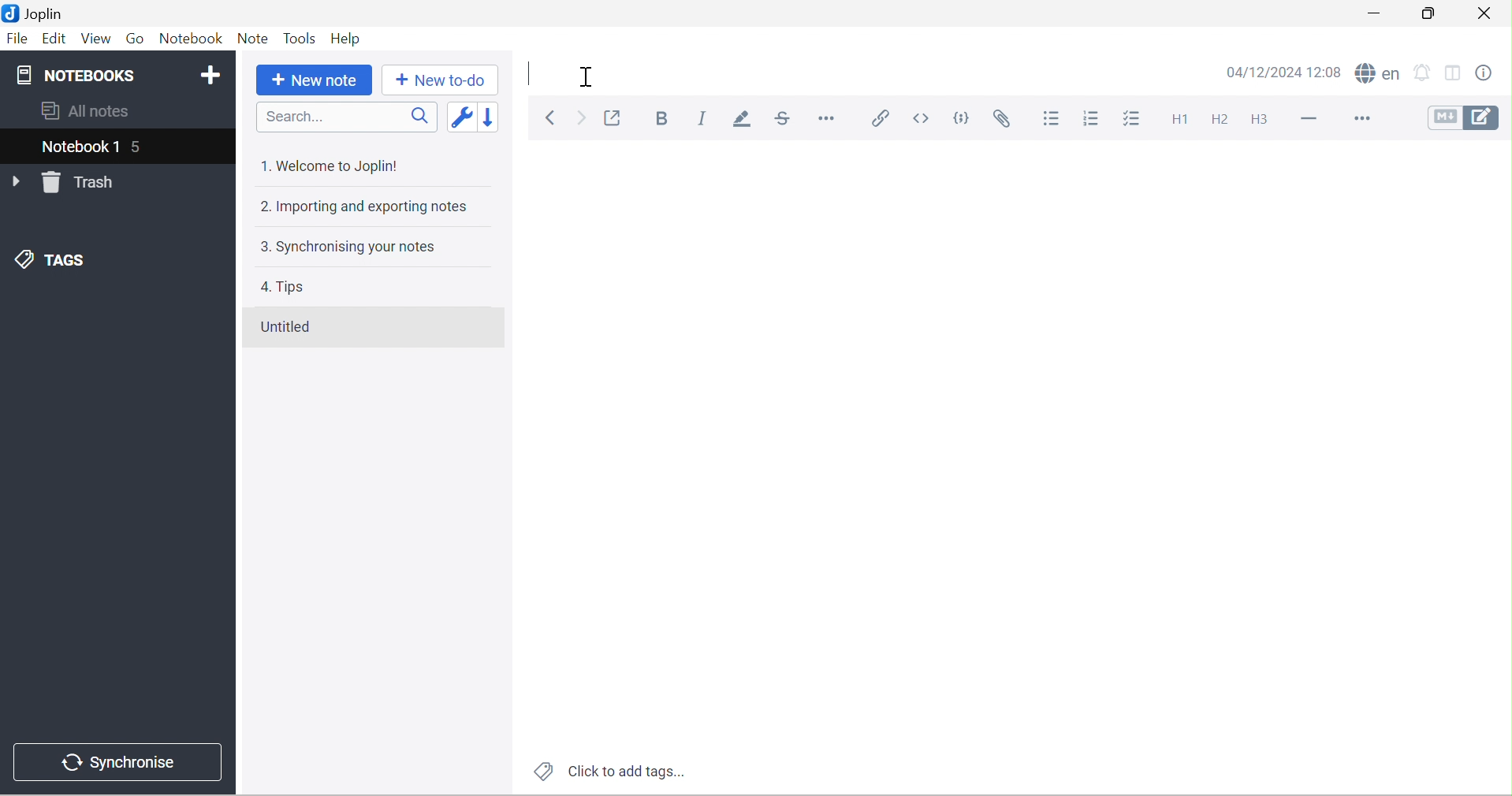  Describe the element at coordinates (464, 115) in the screenshot. I see `Toggle sort order field` at that location.